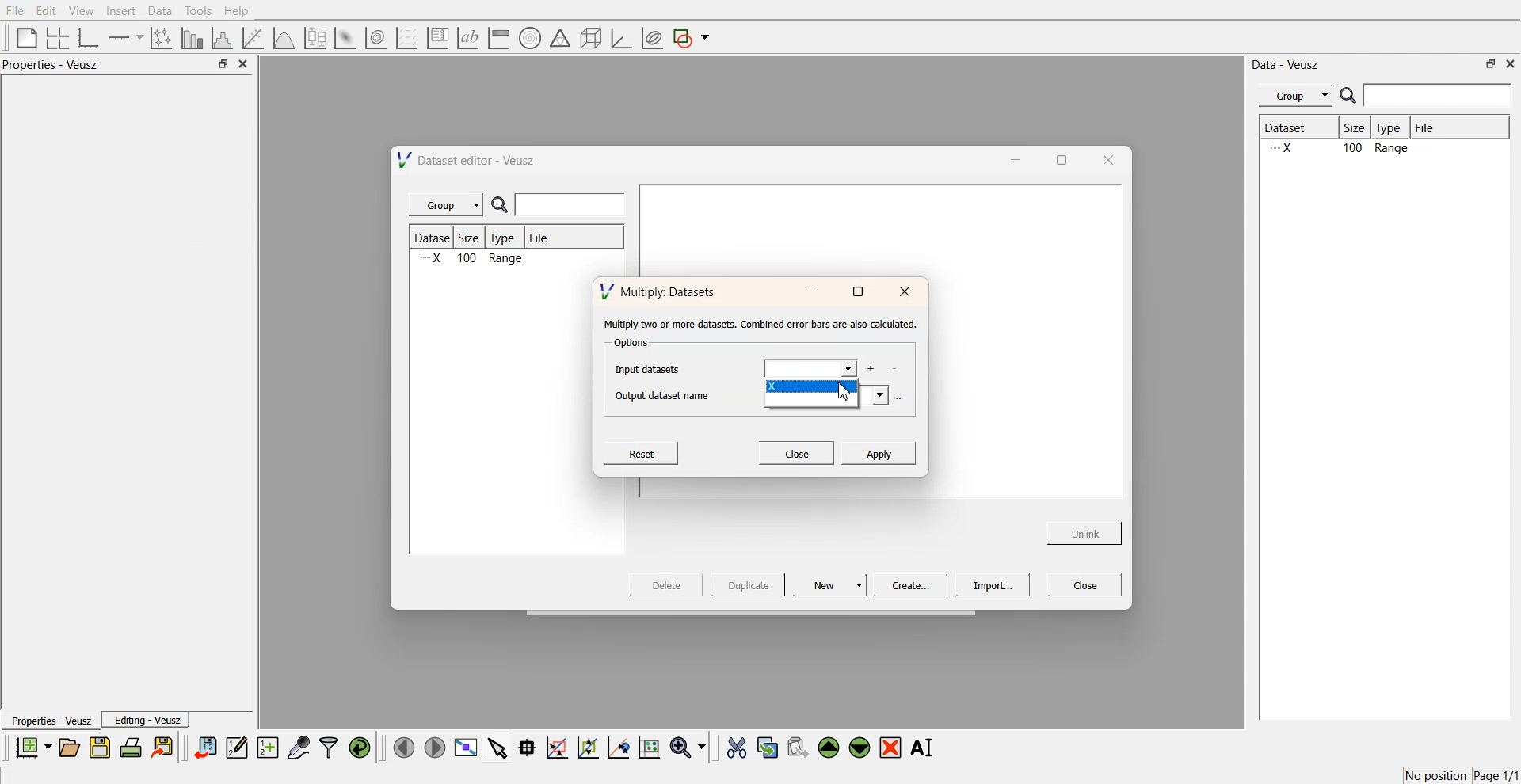 Image resolution: width=1521 pixels, height=784 pixels. What do you see at coordinates (408, 38) in the screenshot?
I see `plot a vector set` at bounding box center [408, 38].